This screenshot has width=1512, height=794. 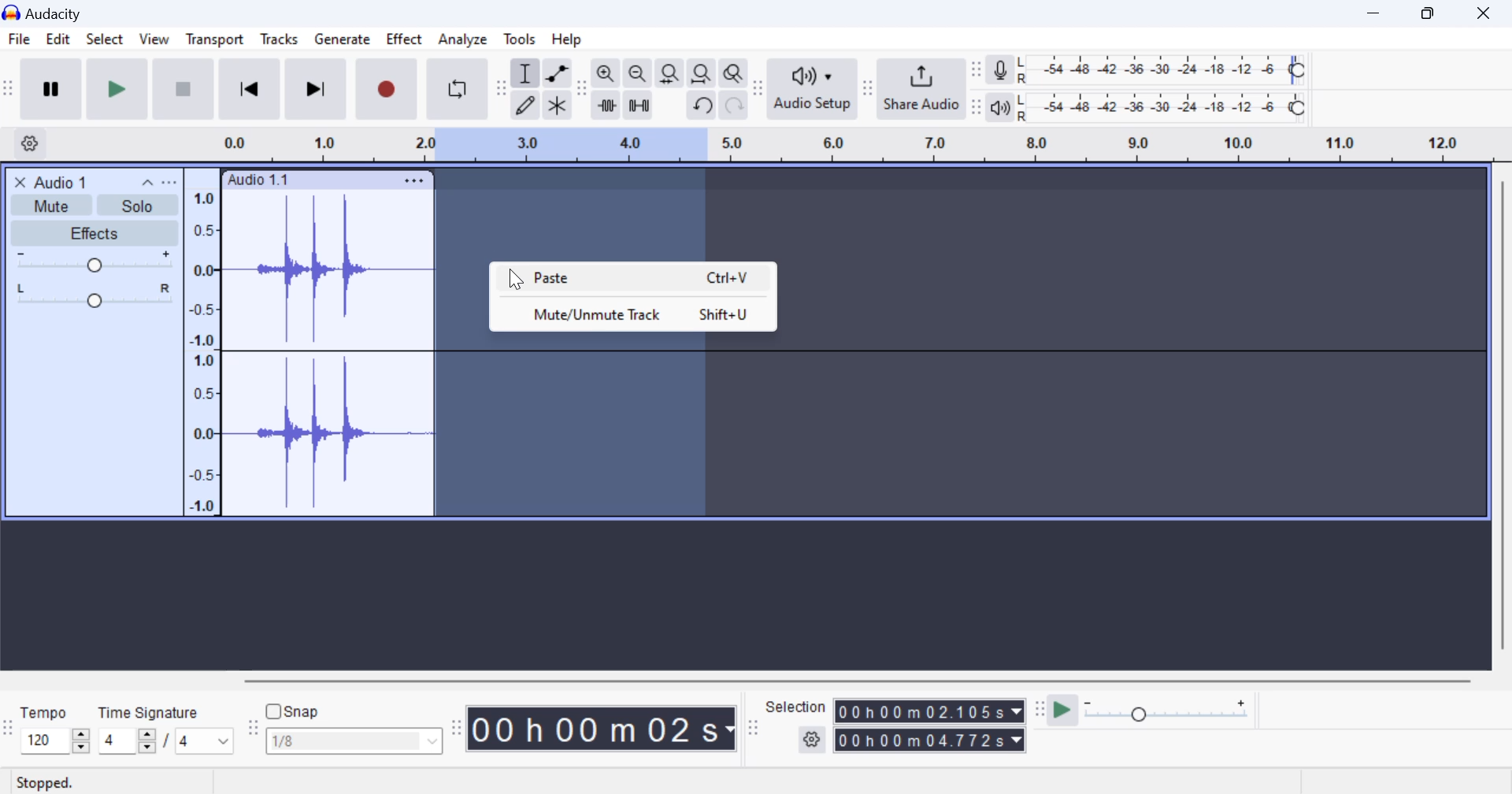 What do you see at coordinates (57, 42) in the screenshot?
I see `Edit` at bounding box center [57, 42].